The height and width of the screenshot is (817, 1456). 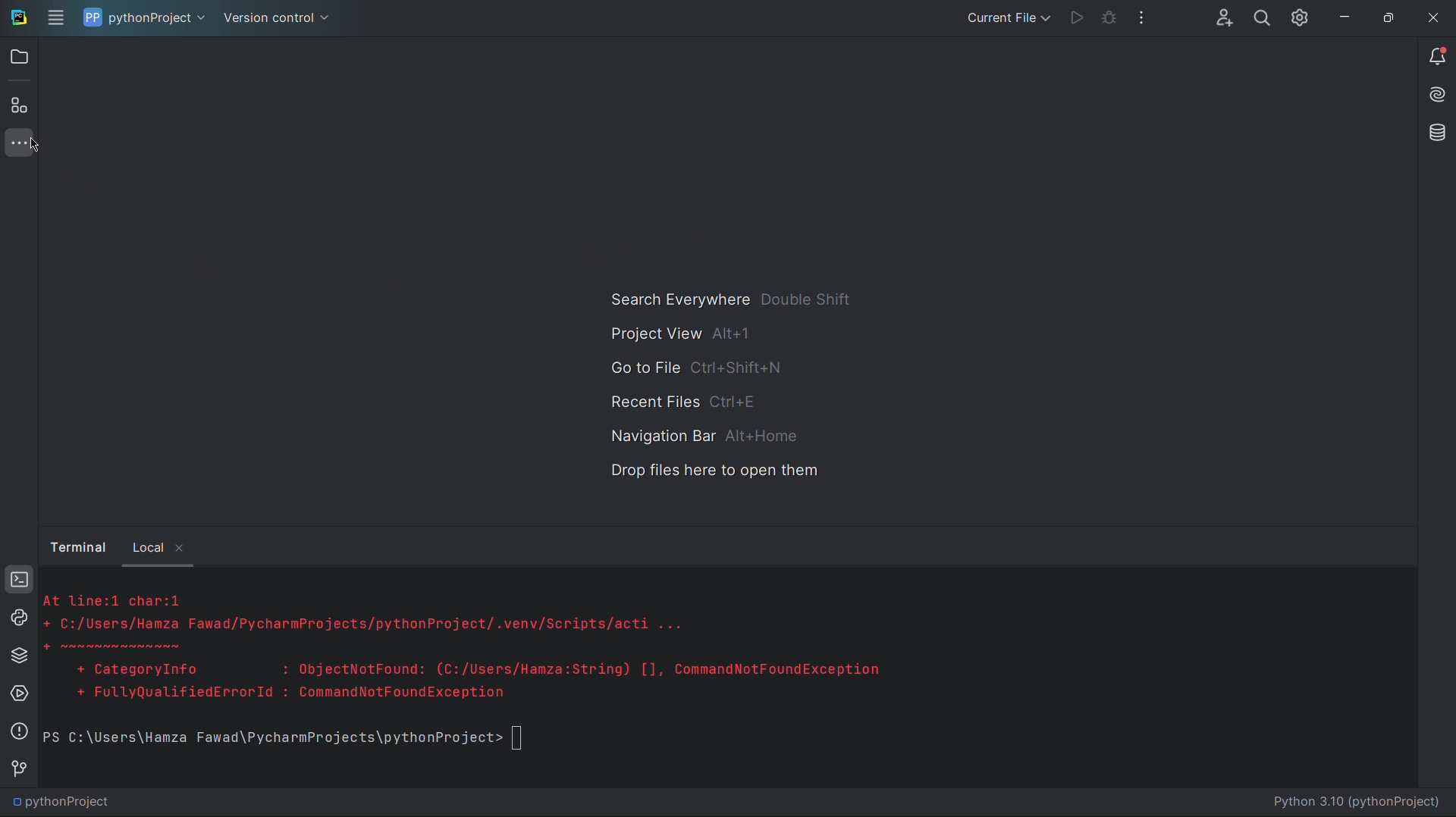 I want to click on Python Console, so click(x=18, y=618).